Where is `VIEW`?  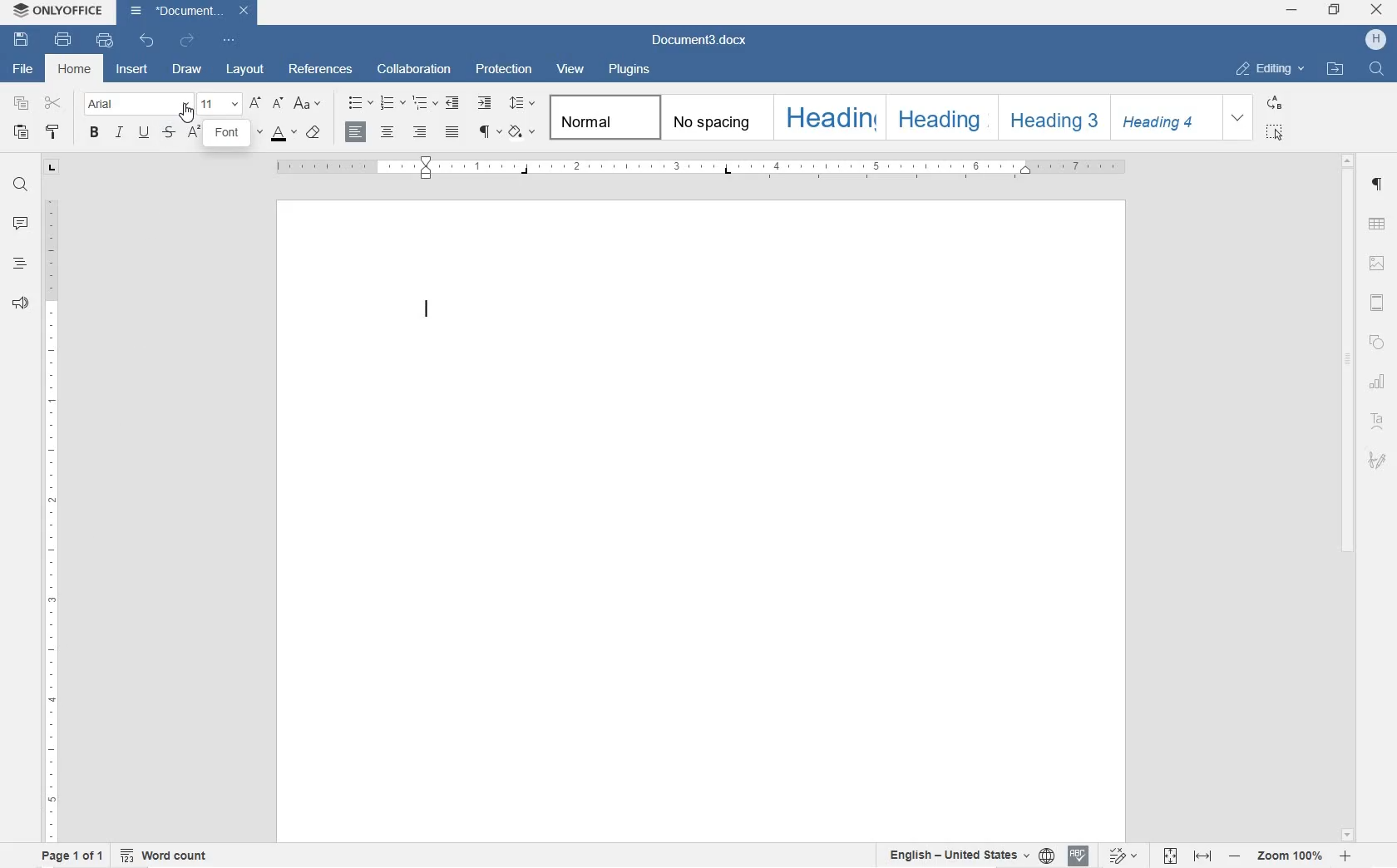
VIEW is located at coordinates (571, 69).